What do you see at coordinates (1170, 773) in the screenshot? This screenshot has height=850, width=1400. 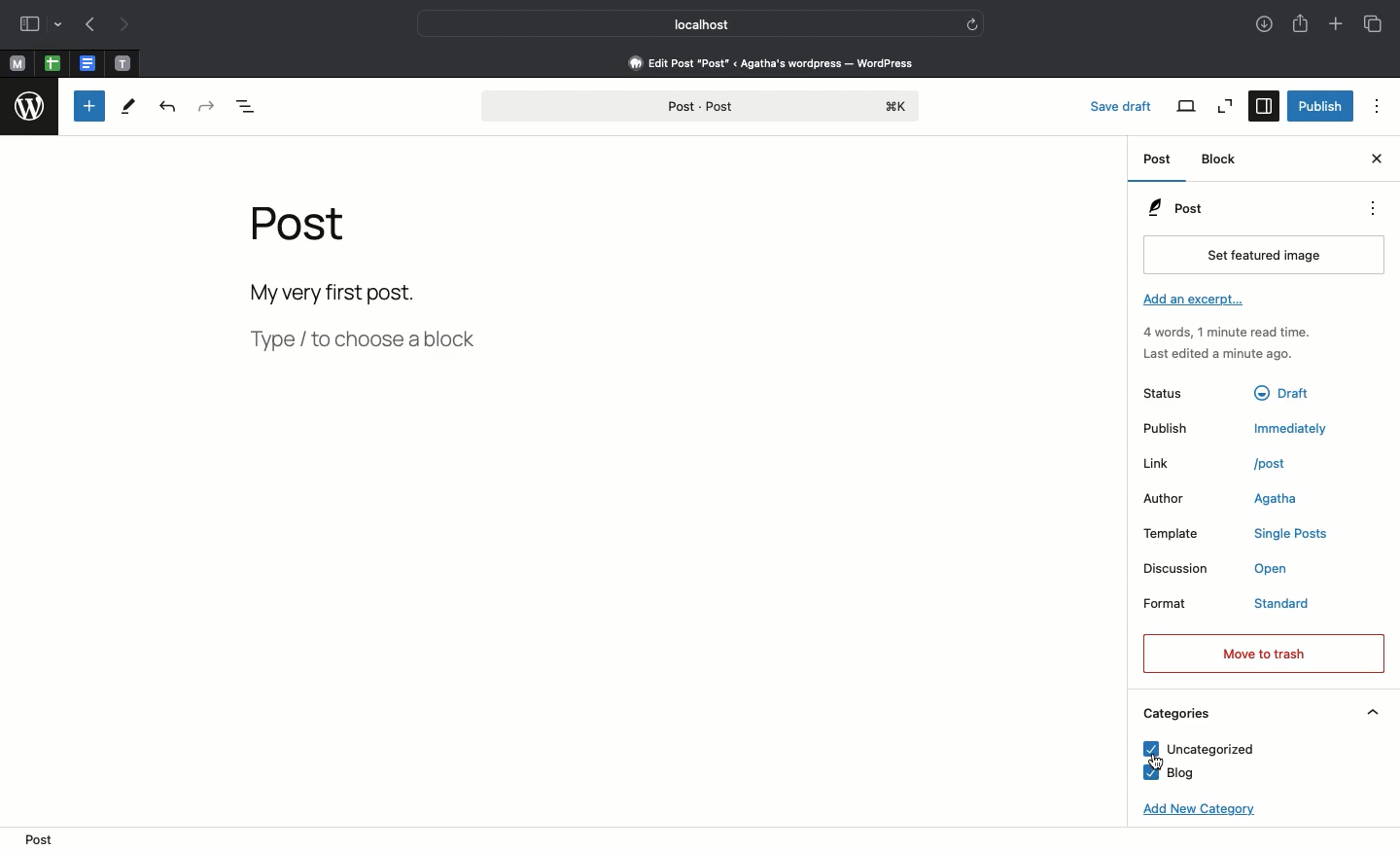 I see `Blog` at bounding box center [1170, 773].